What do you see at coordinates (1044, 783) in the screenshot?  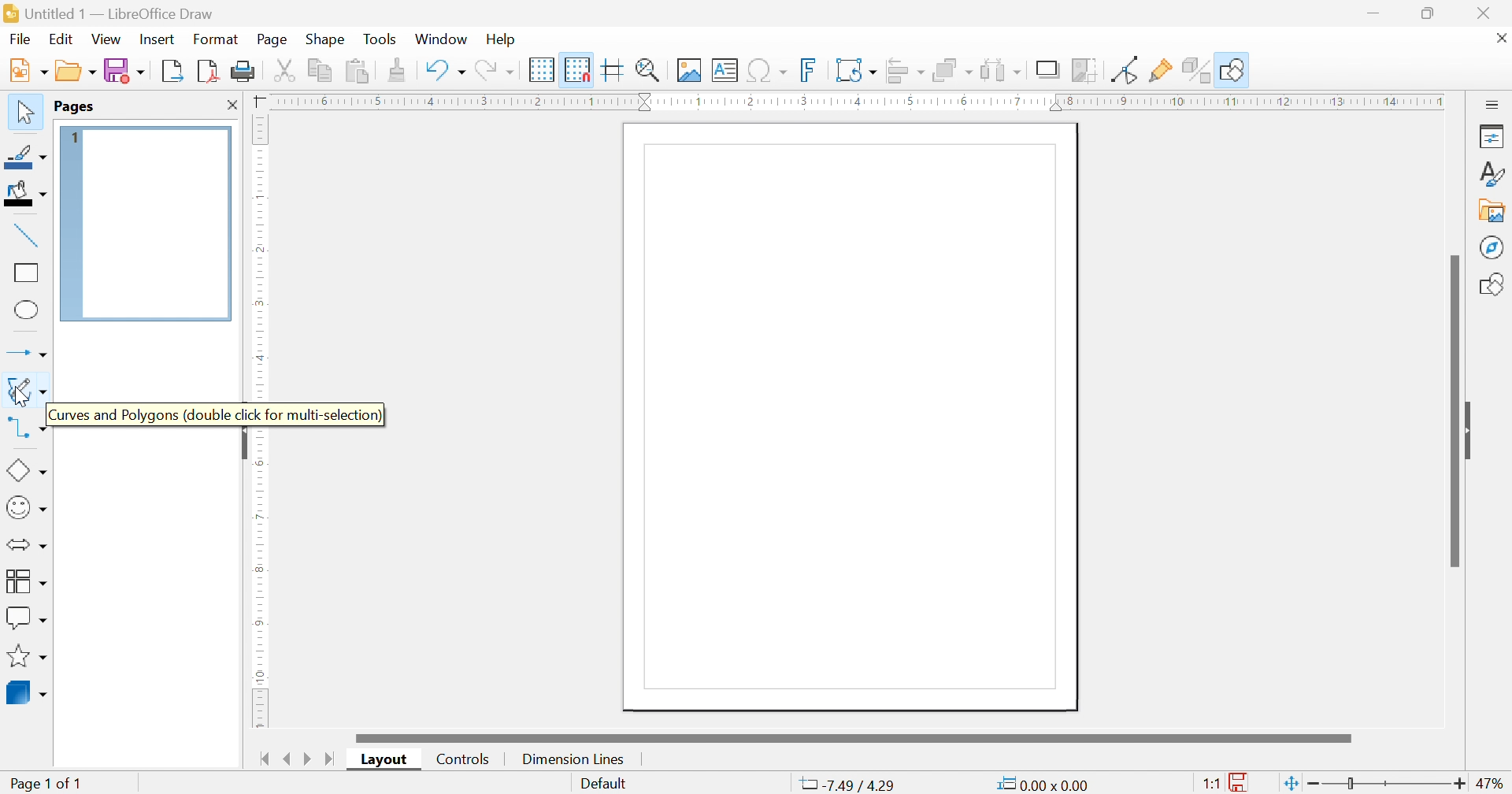 I see `0.00*0.00` at bounding box center [1044, 783].